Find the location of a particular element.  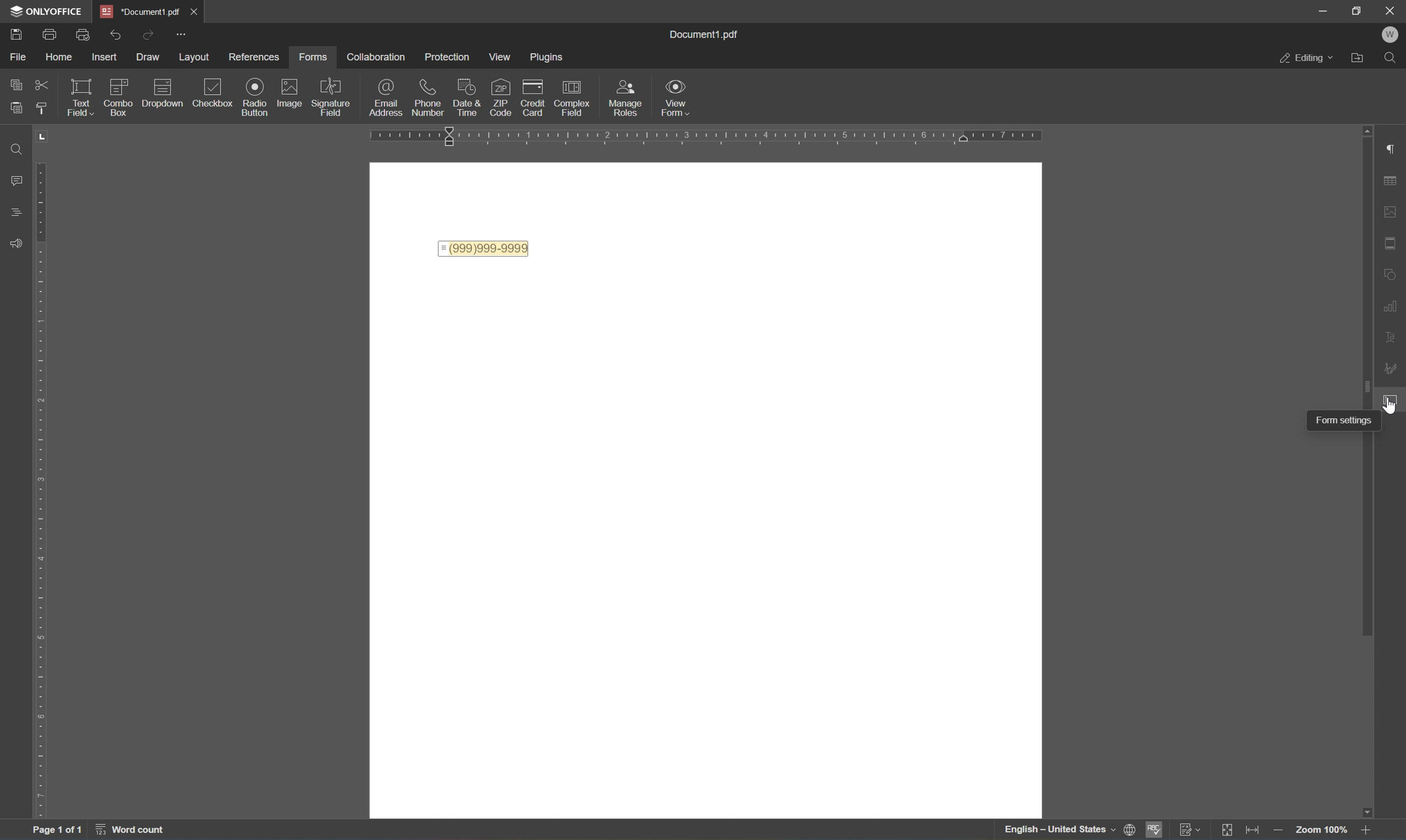

table settings is located at coordinates (1394, 179).